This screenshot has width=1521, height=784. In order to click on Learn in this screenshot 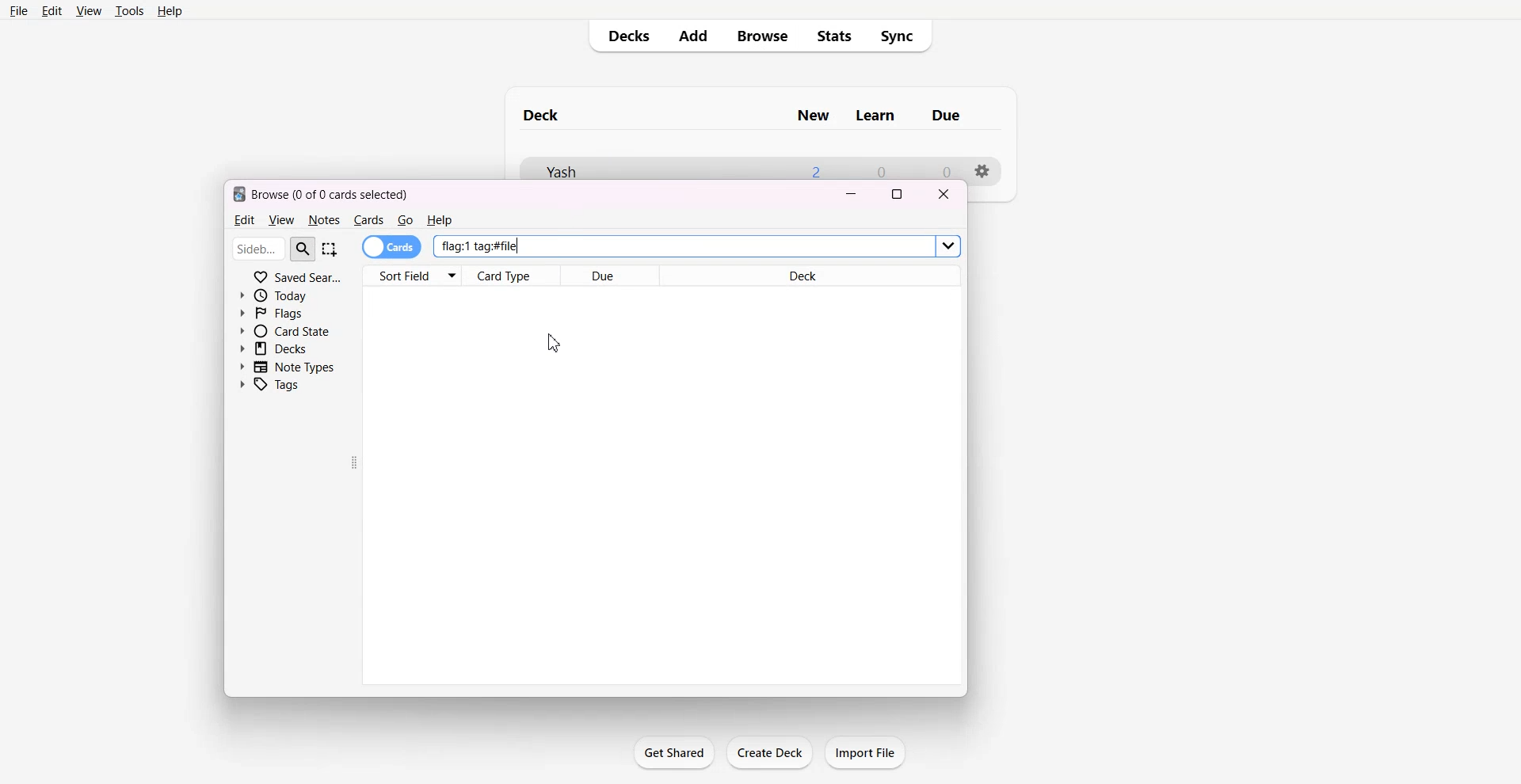, I will do `click(882, 114)`.